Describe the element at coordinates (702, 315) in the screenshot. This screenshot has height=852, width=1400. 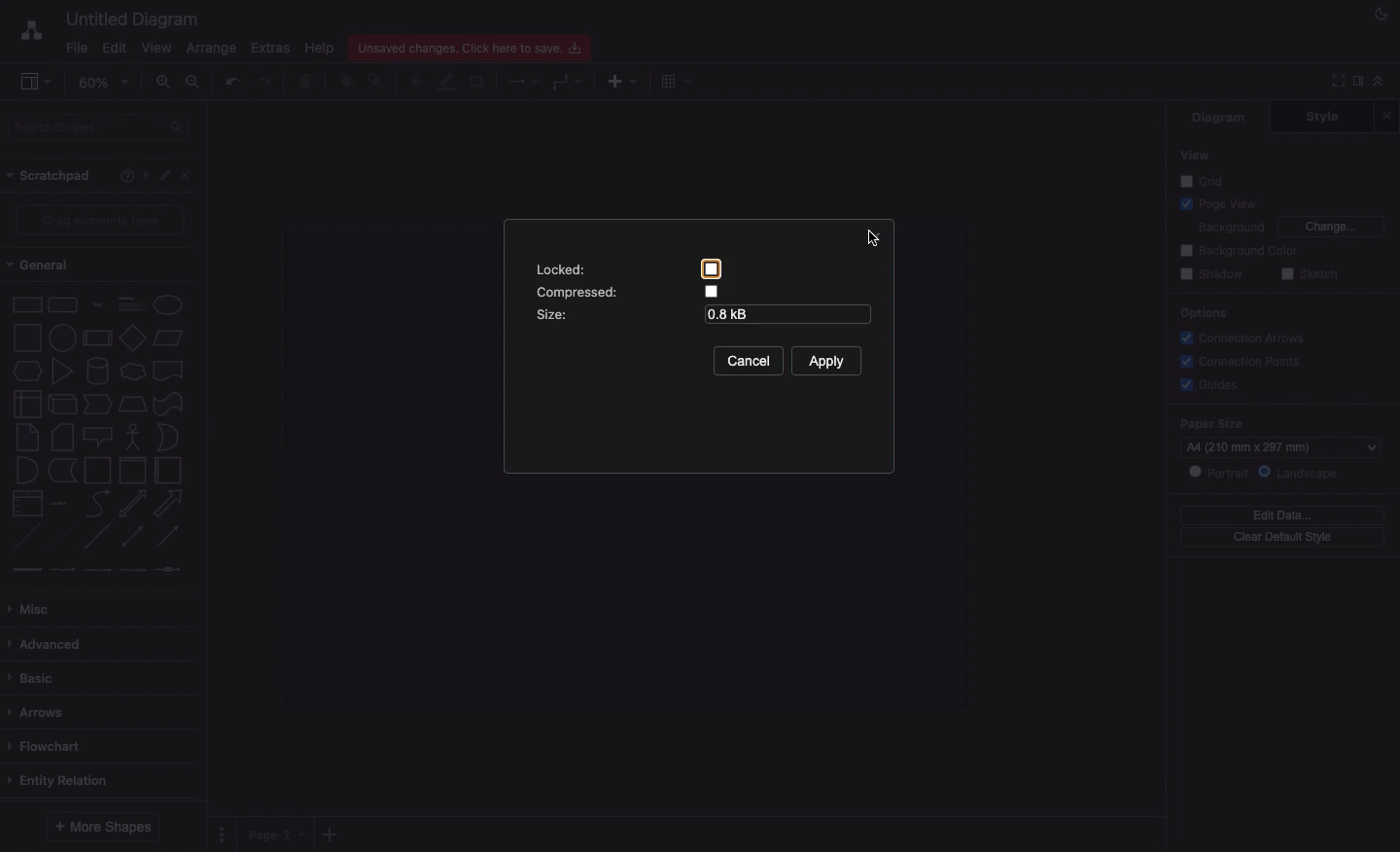
I see `Size 0.8kb` at that location.